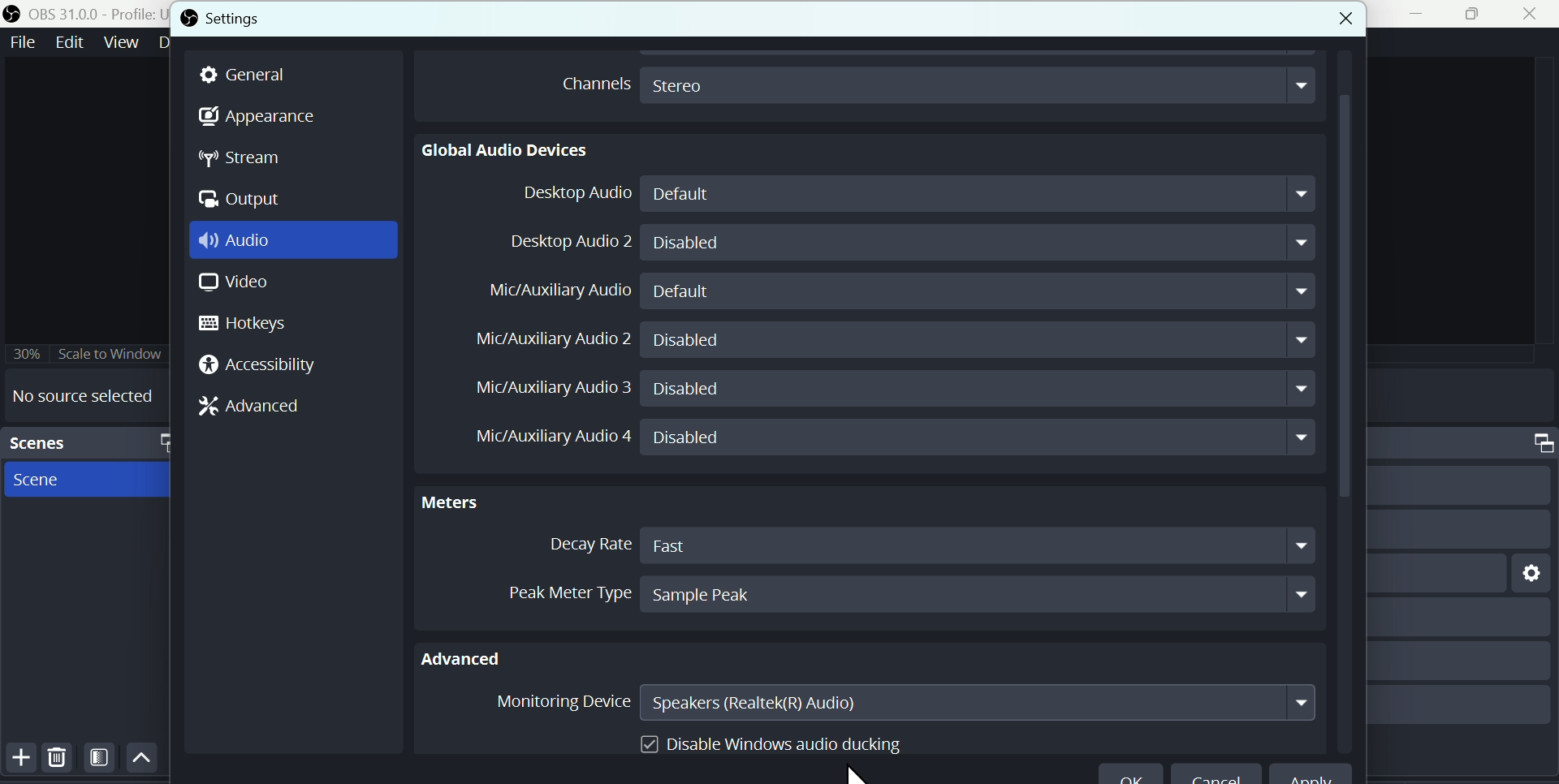  Describe the element at coordinates (978, 438) in the screenshot. I see `Disabled` at that location.